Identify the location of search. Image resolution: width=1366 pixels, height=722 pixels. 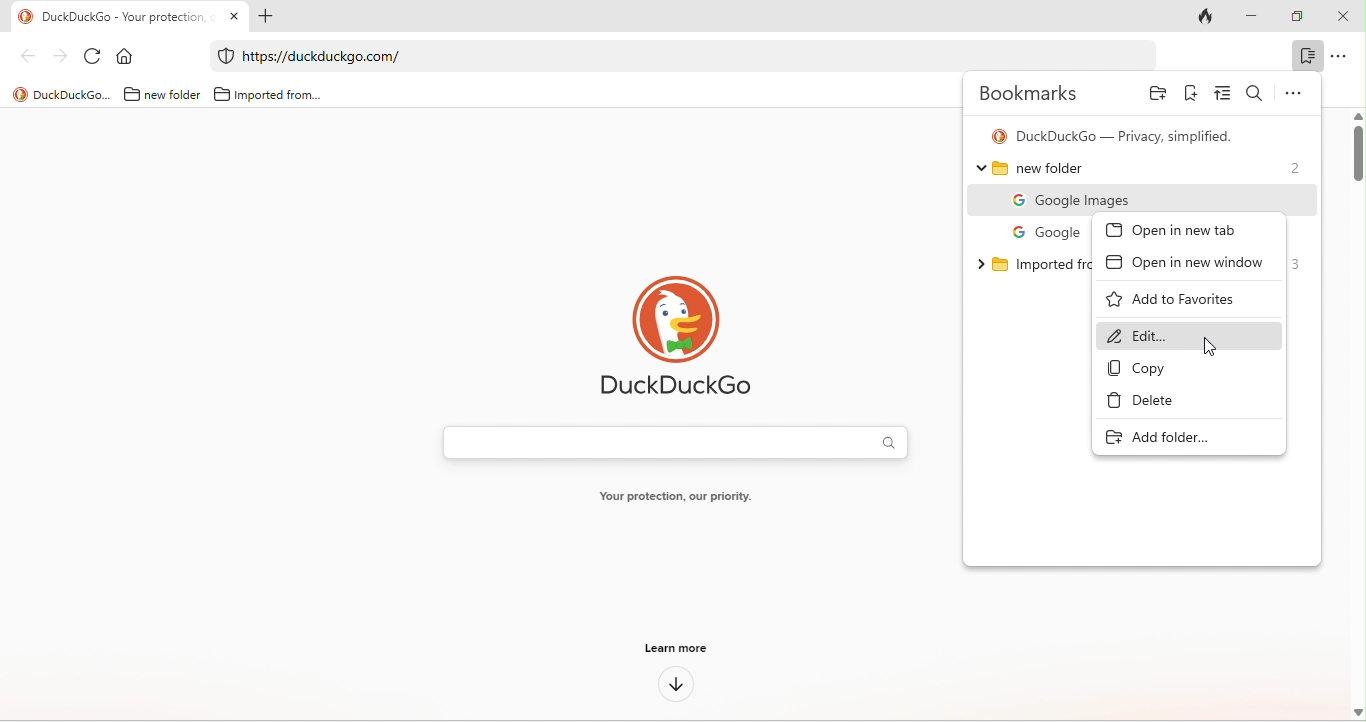
(1255, 94).